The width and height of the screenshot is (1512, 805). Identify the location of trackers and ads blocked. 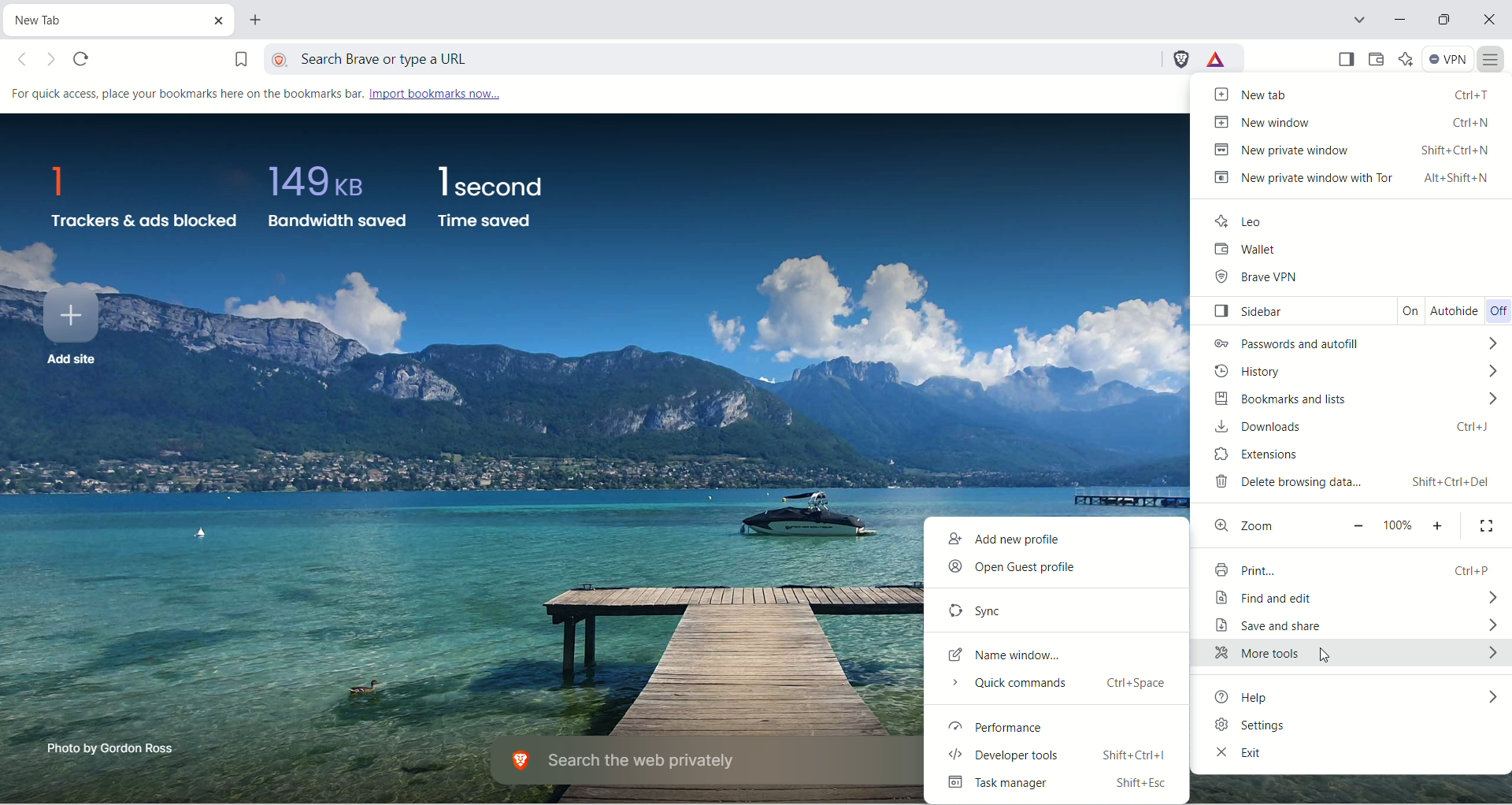
(143, 200).